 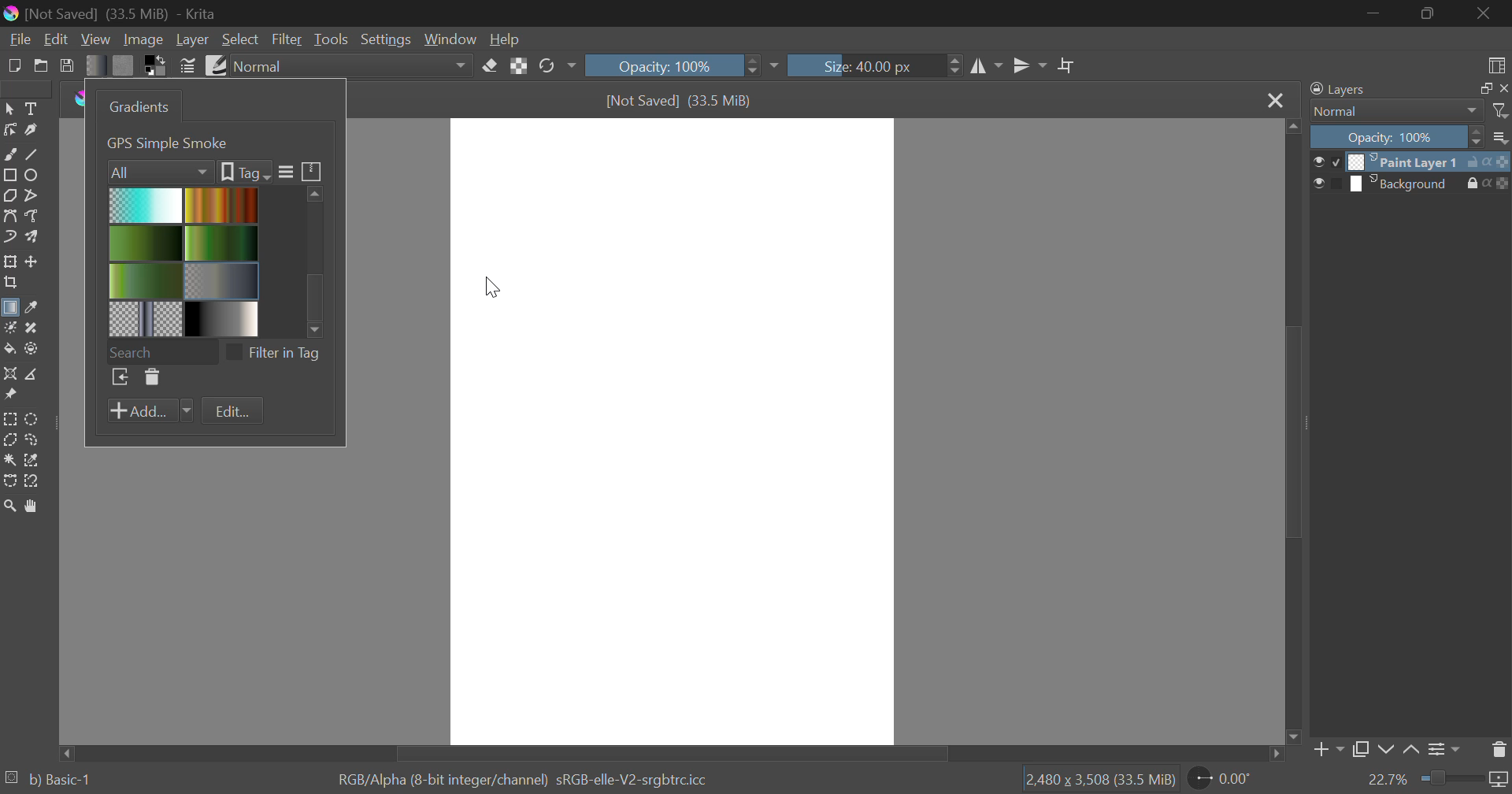 What do you see at coordinates (1499, 748) in the screenshot?
I see `Delete Layer` at bounding box center [1499, 748].